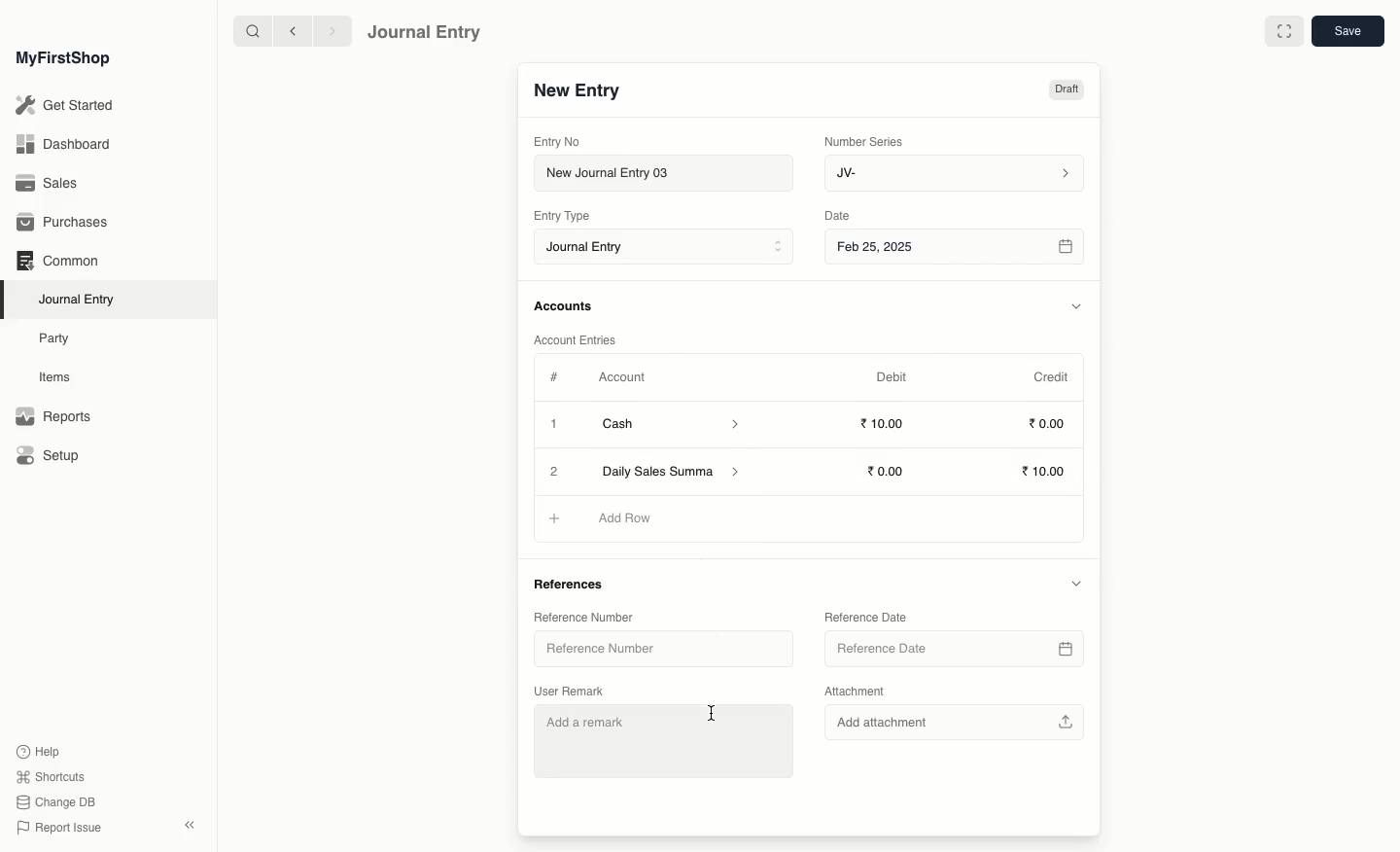 This screenshot has width=1400, height=852. Describe the element at coordinates (57, 828) in the screenshot. I see `Report Issue` at that location.